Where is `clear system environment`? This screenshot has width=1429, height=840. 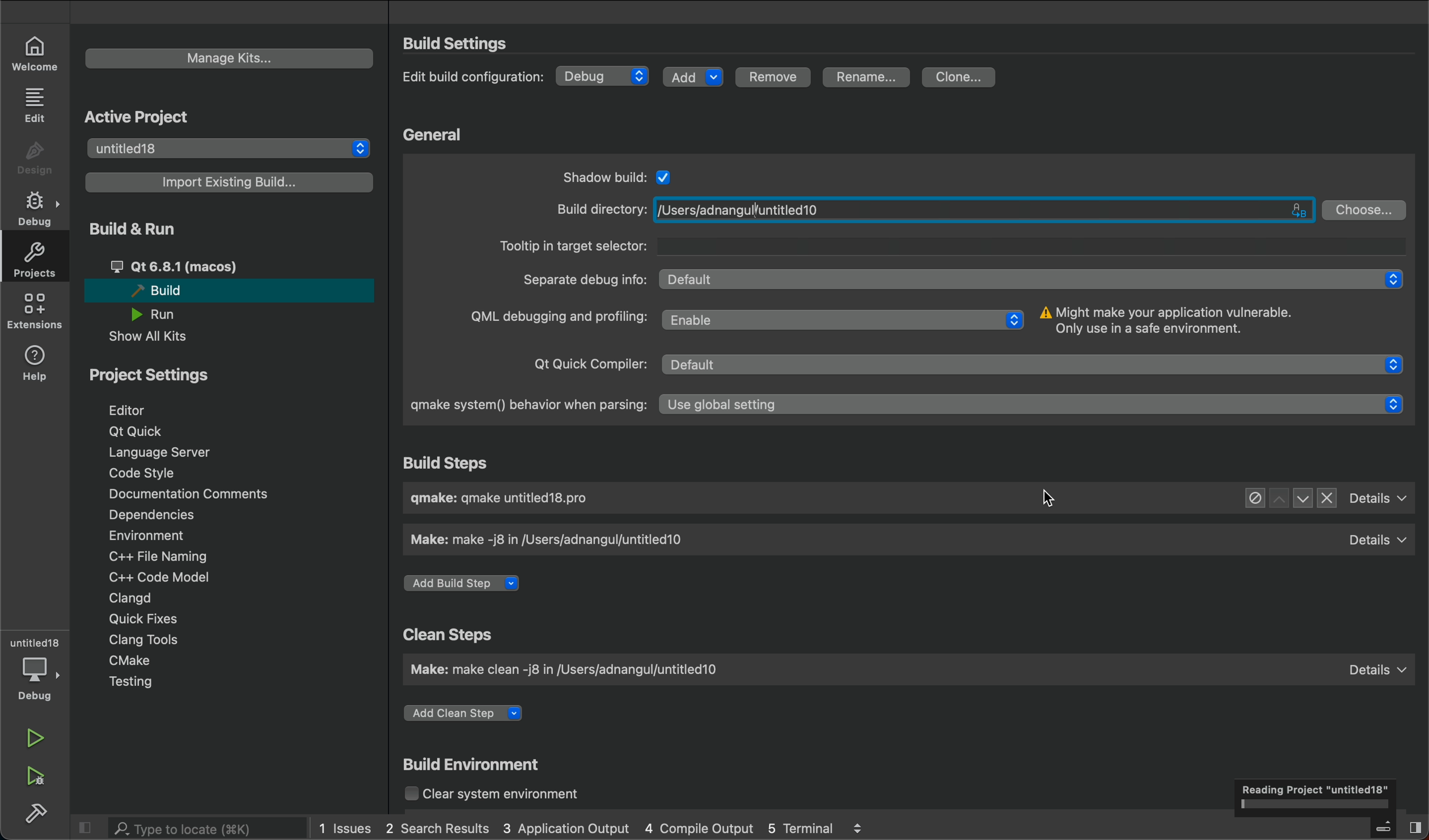 clear system environment is located at coordinates (506, 796).